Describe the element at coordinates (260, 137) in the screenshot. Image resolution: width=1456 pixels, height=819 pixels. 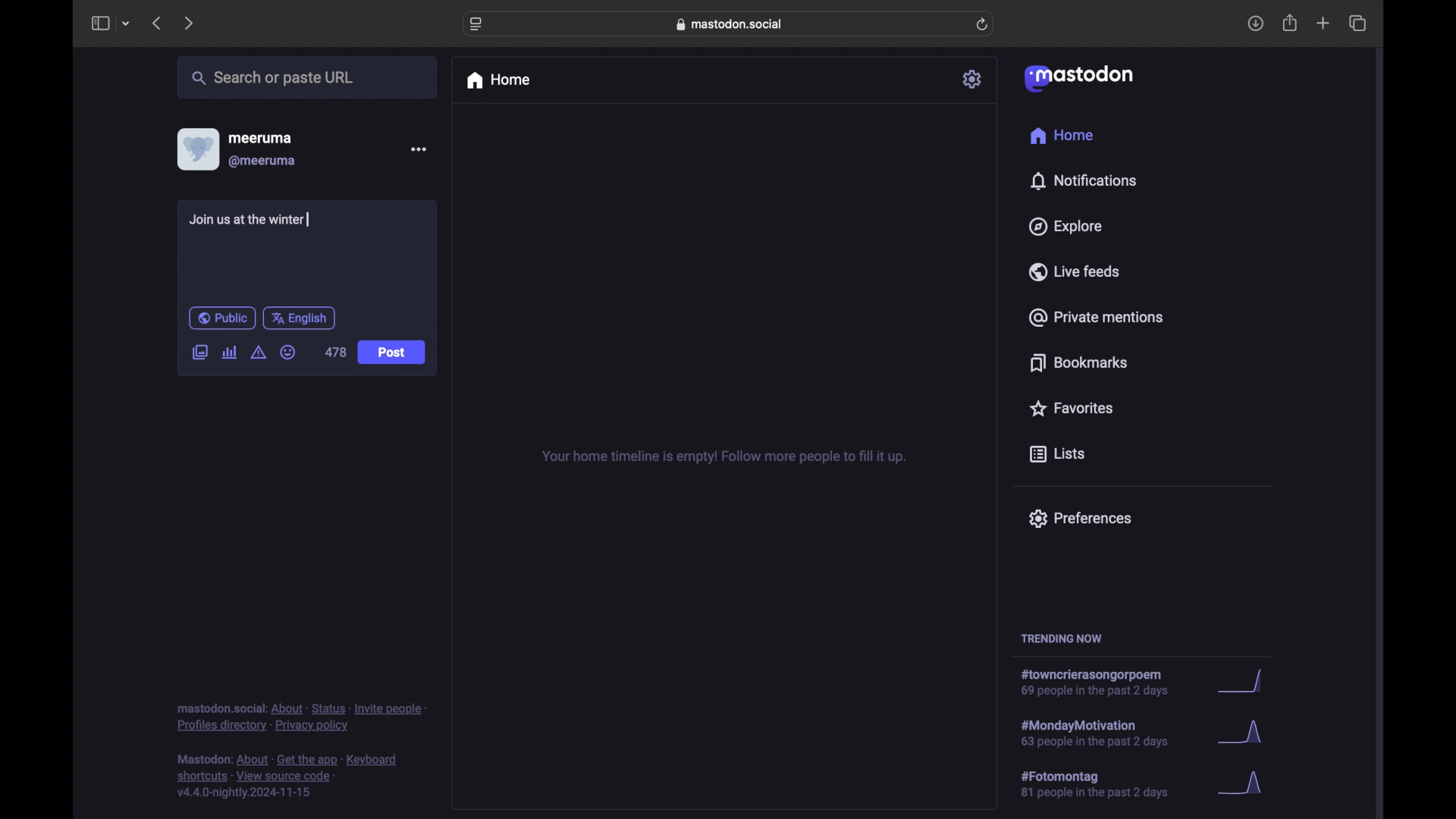
I see `meeruma` at that location.